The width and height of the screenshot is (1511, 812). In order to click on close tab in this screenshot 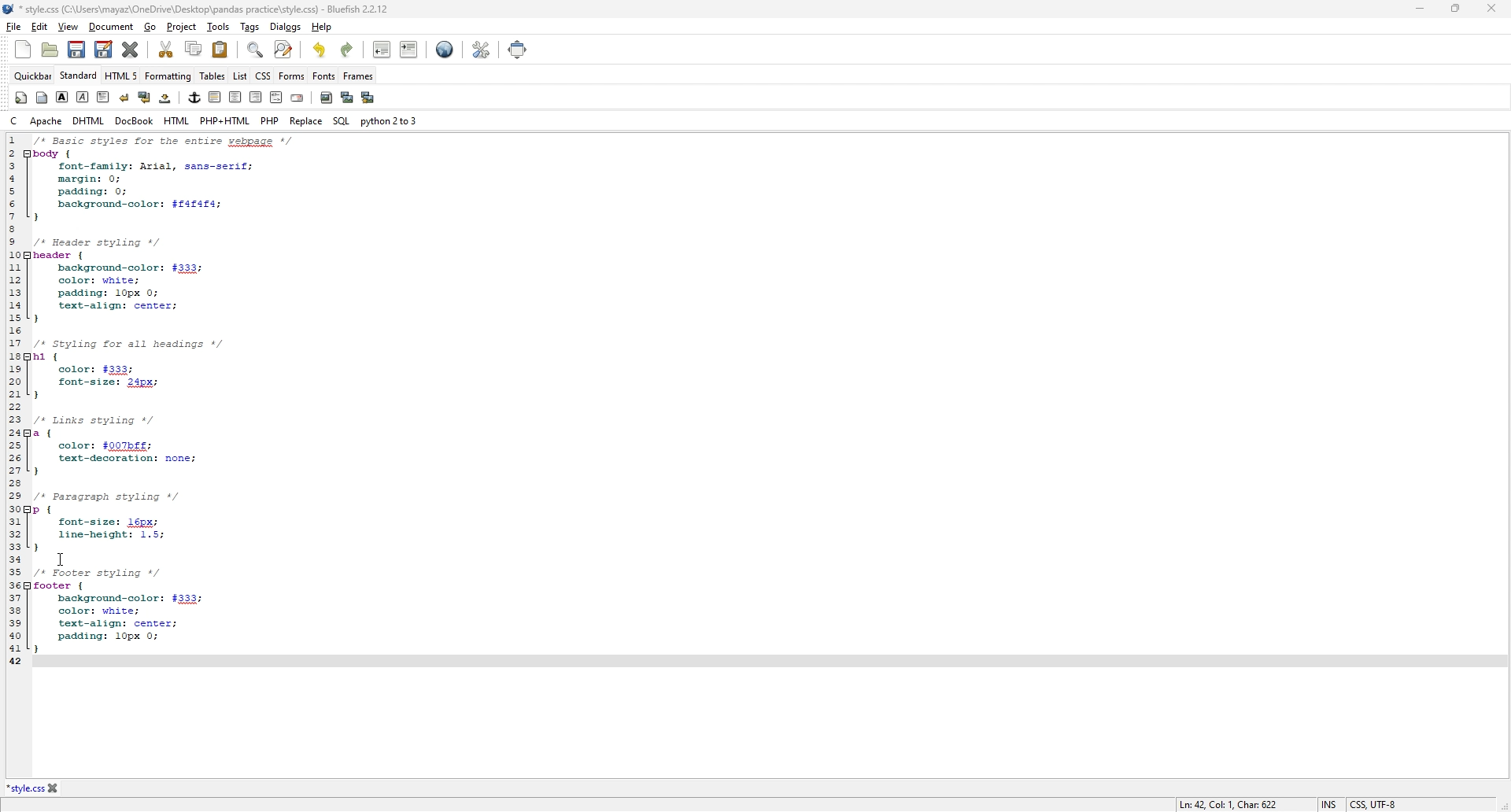, I will do `click(54, 788)`.